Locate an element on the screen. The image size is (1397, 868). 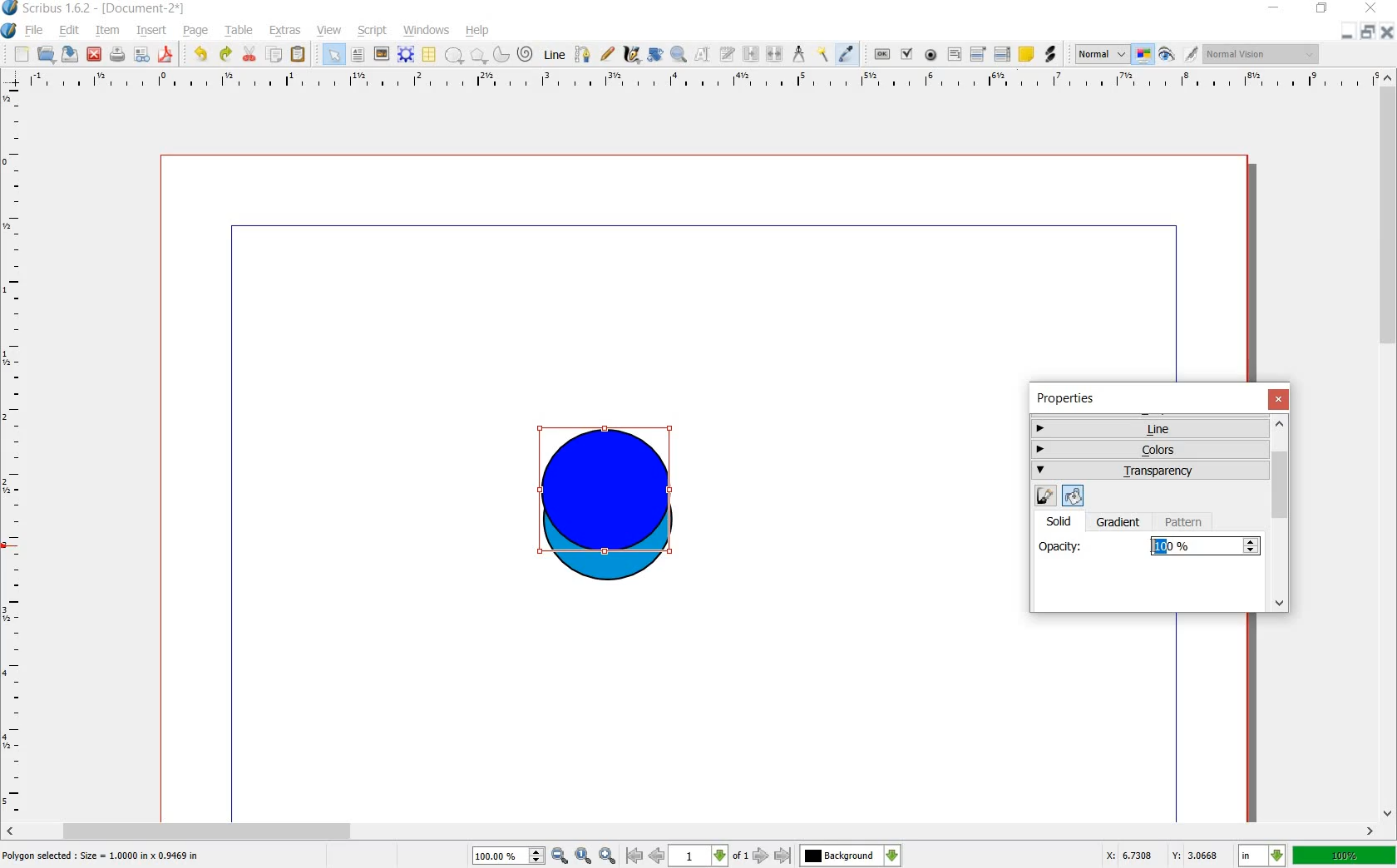
new is located at coordinates (22, 55).